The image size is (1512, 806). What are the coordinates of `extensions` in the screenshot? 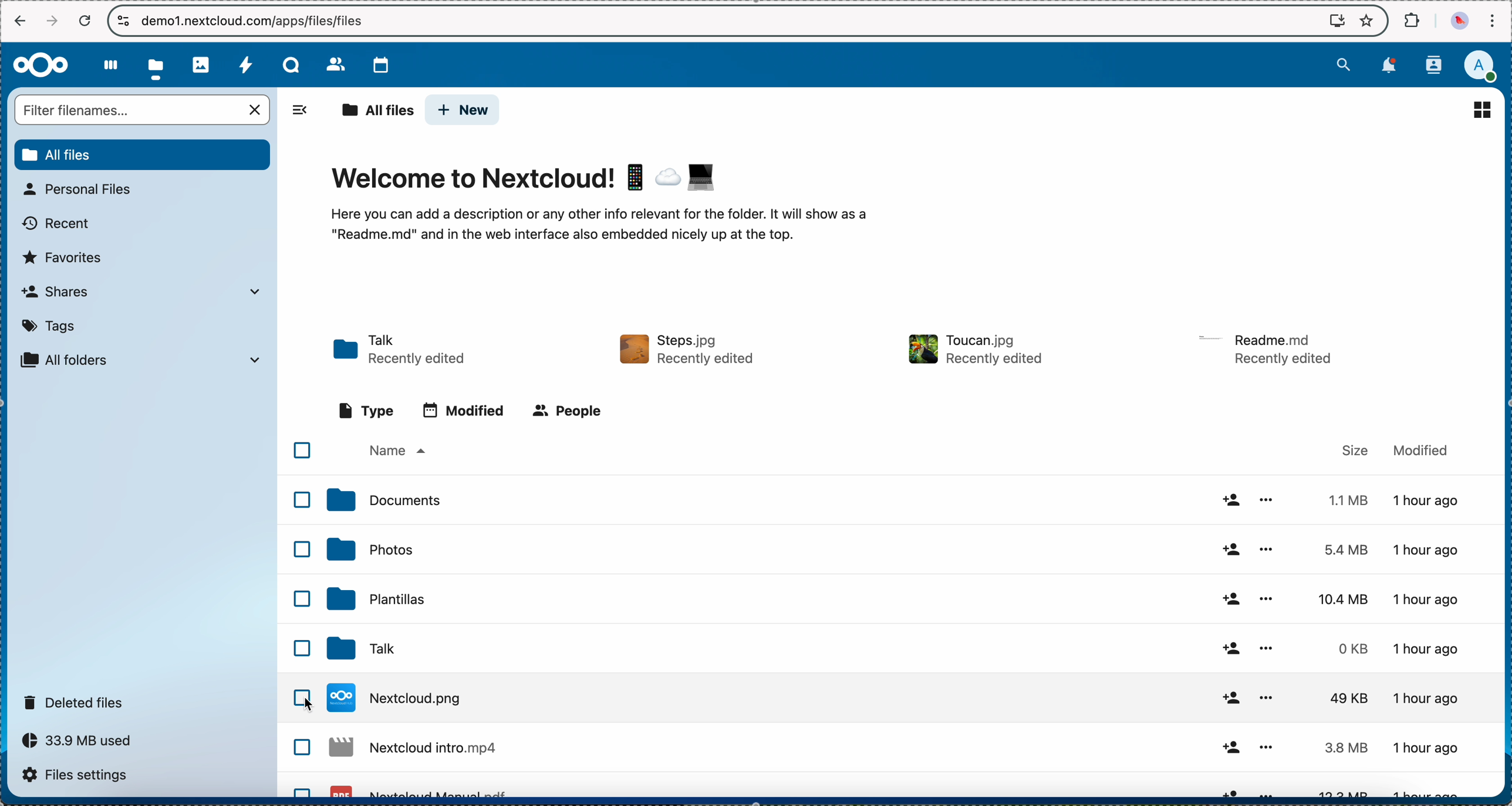 It's located at (1412, 21).